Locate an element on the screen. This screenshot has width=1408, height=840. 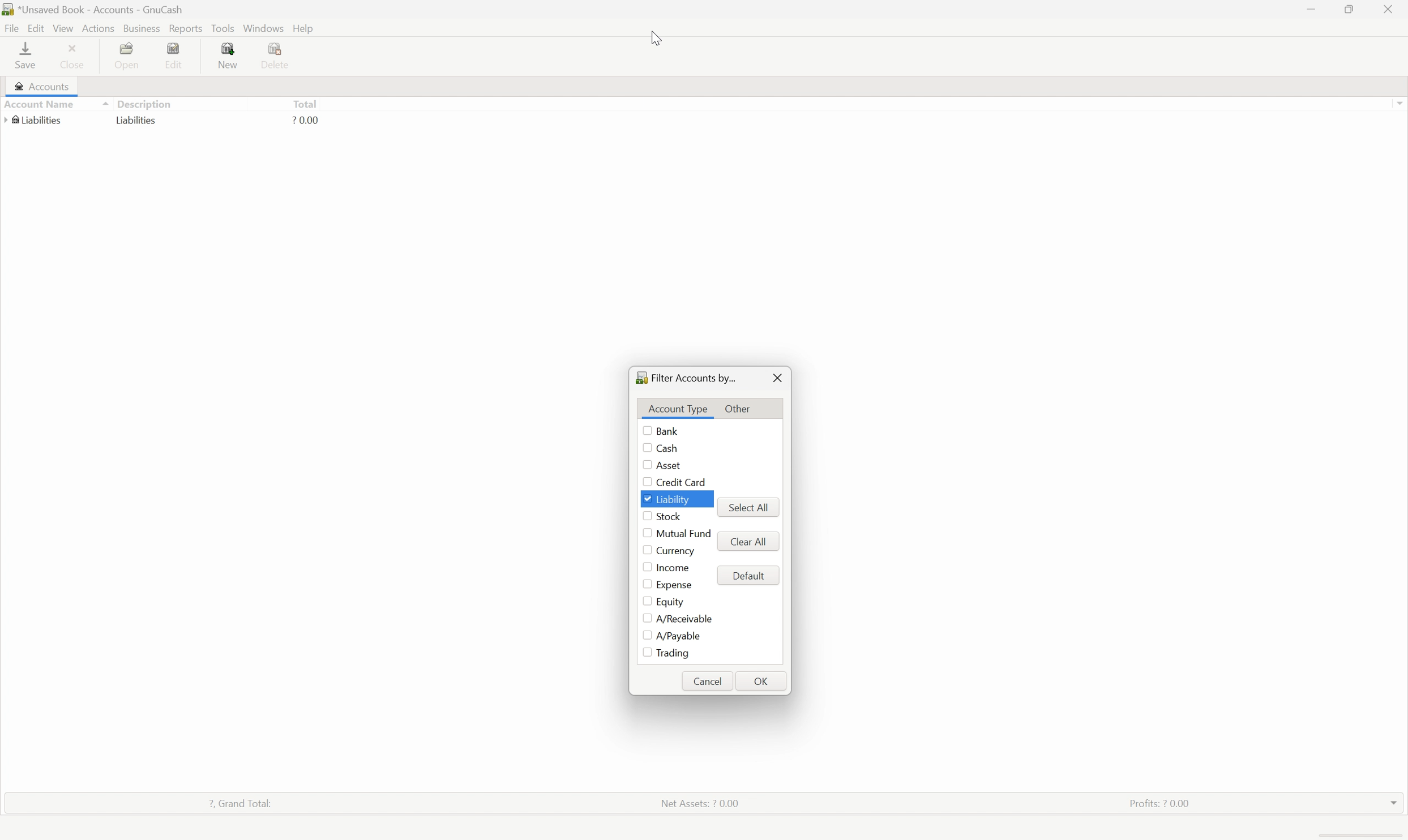
Windows is located at coordinates (264, 28).